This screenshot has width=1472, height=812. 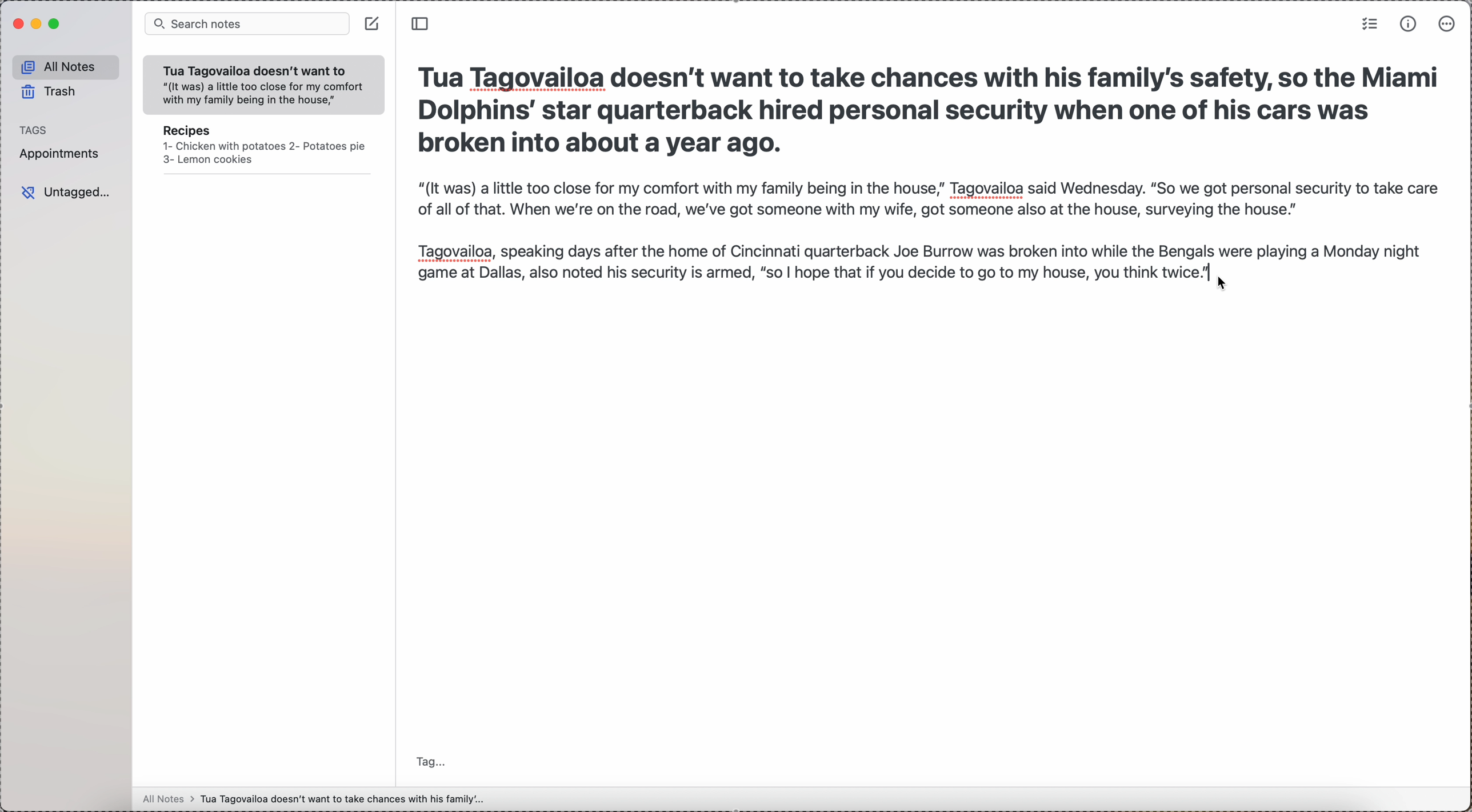 I want to click on appointments, so click(x=65, y=154).